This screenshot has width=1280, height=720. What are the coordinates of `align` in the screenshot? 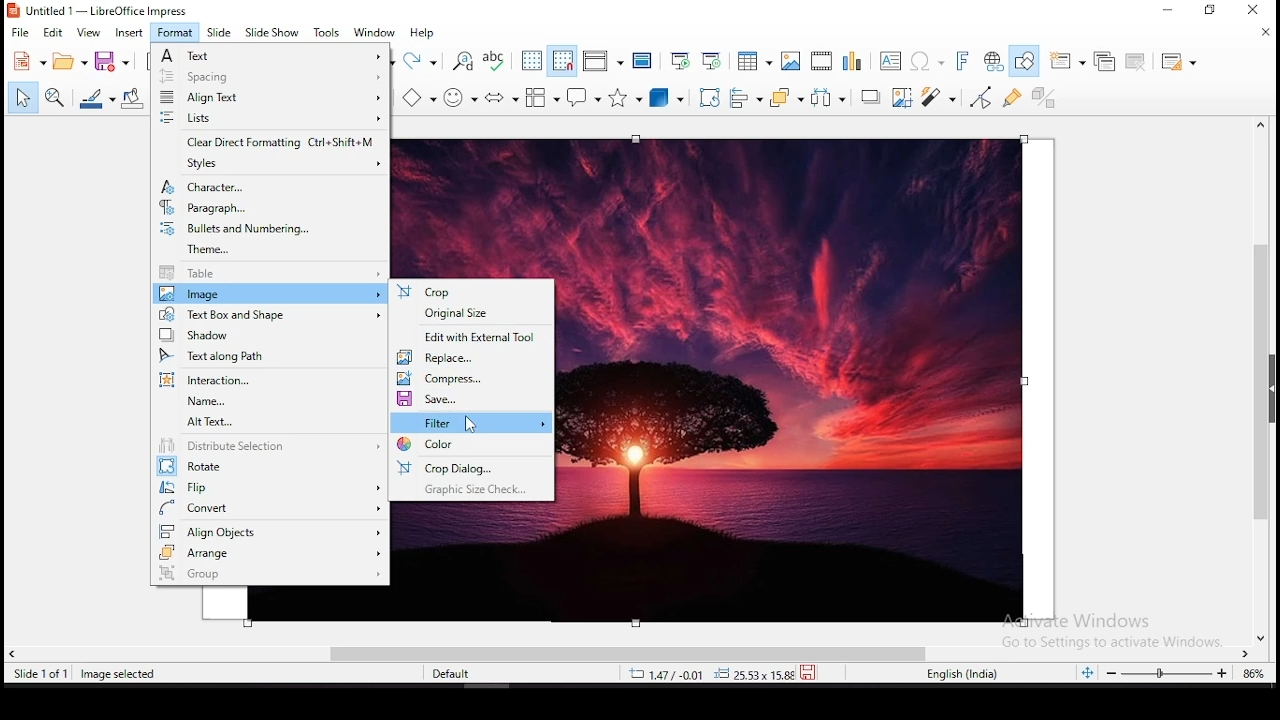 It's located at (269, 98).